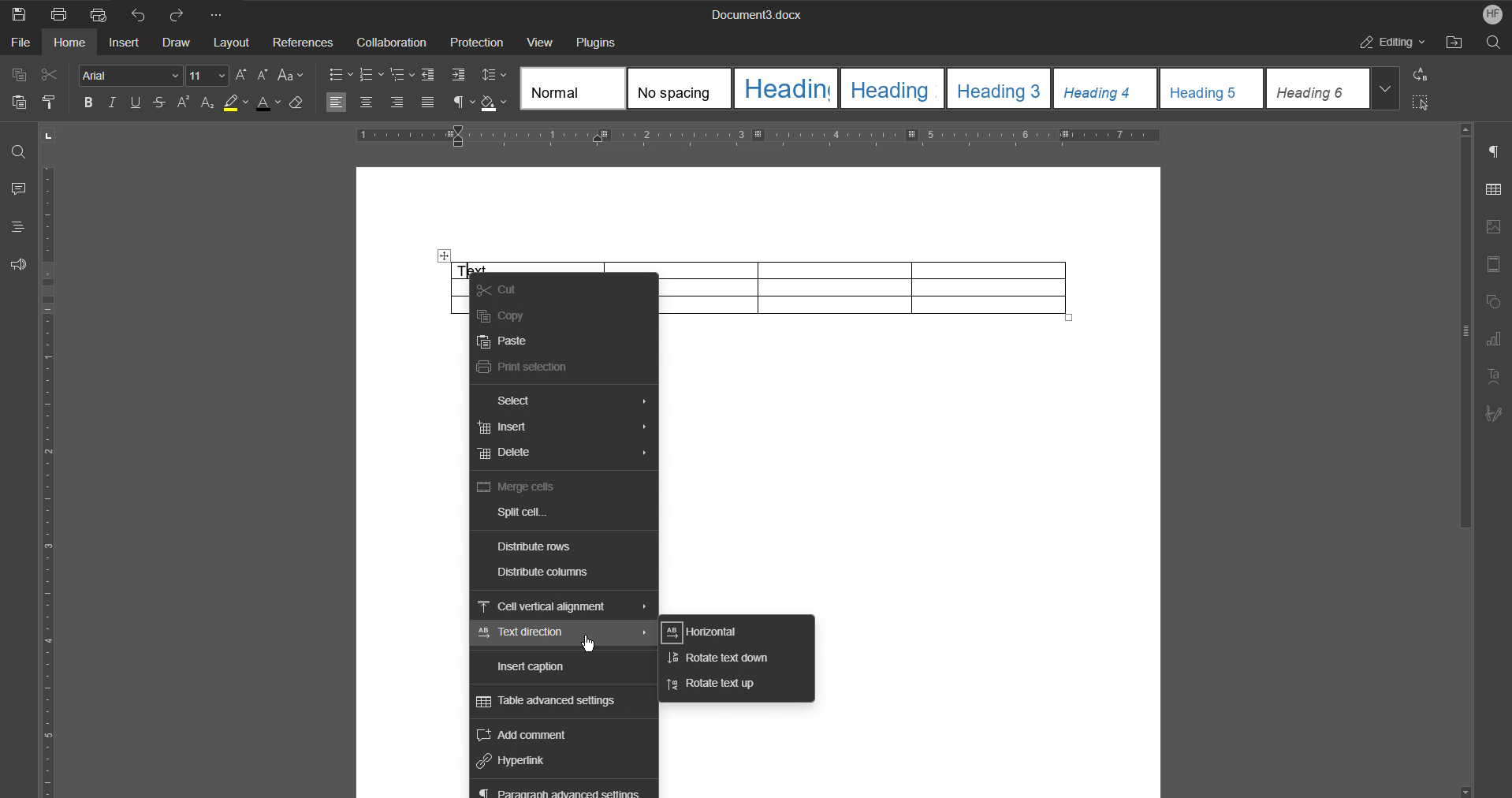  I want to click on Print, so click(523, 368).